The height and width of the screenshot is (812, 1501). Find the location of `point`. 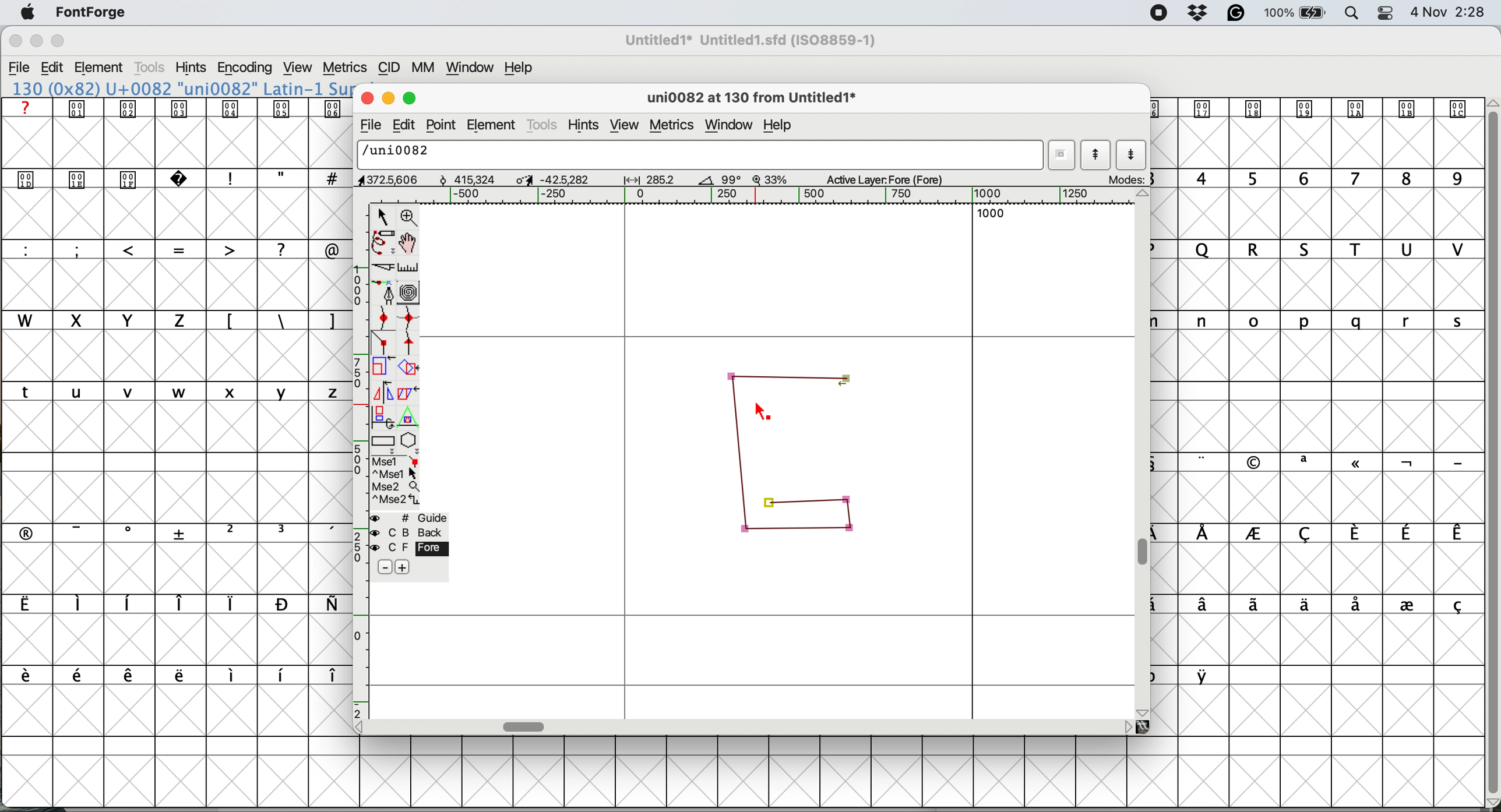

point is located at coordinates (442, 125).